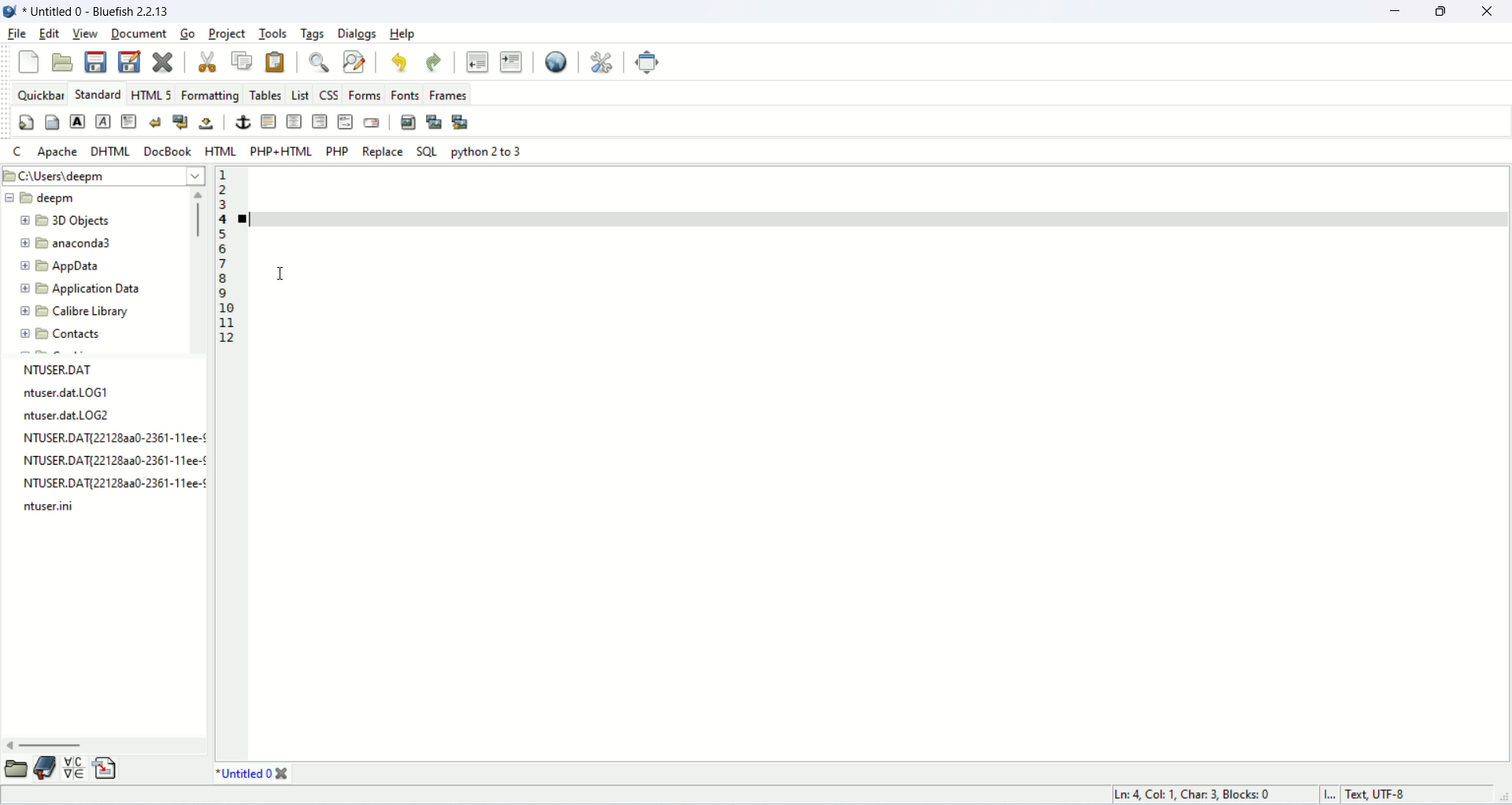 The image size is (1512, 805). What do you see at coordinates (352, 61) in the screenshot?
I see `find and replace` at bounding box center [352, 61].